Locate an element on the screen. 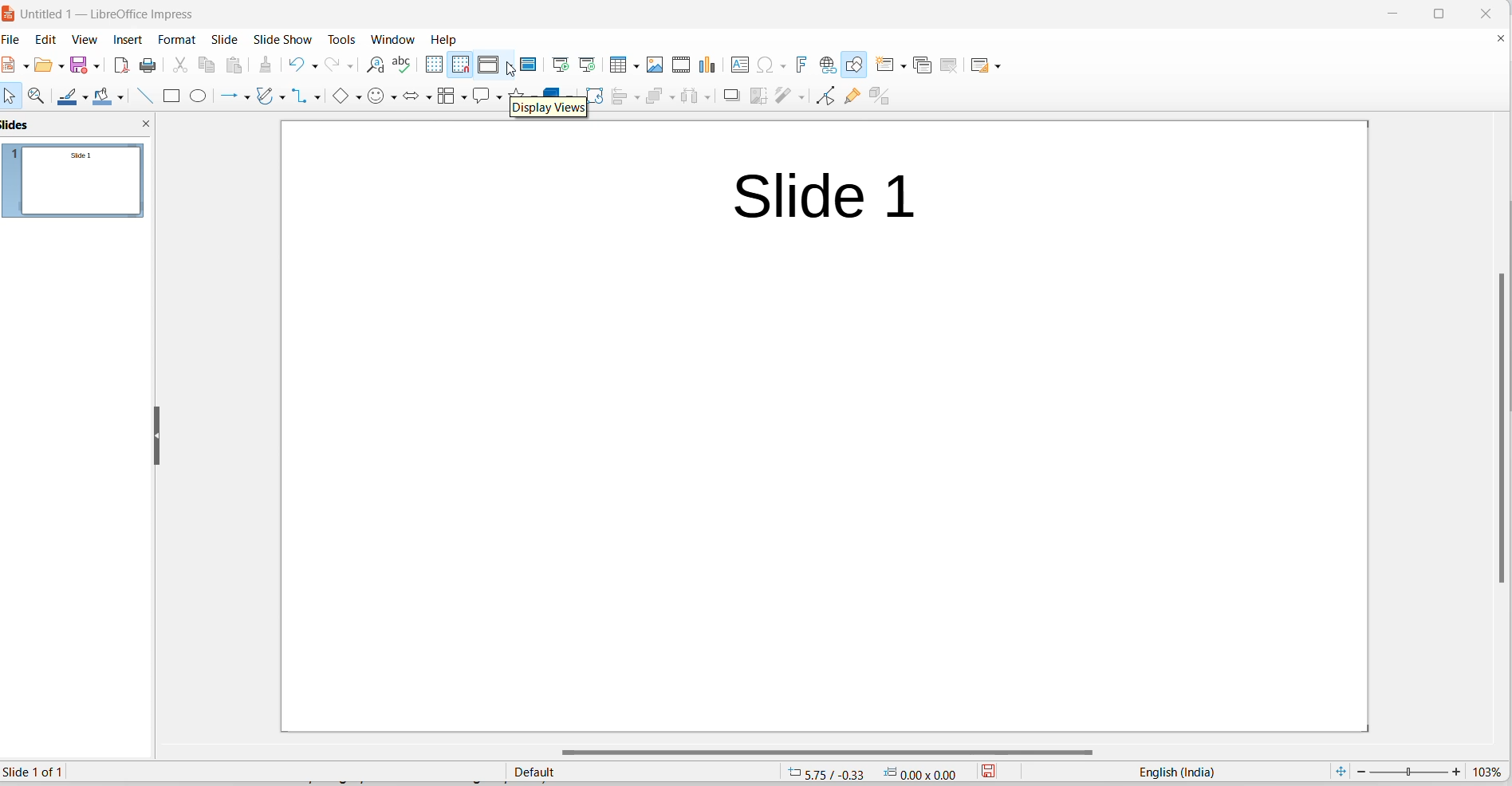 The height and width of the screenshot is (786, 1512). resize is located at coordinates (157, 434).